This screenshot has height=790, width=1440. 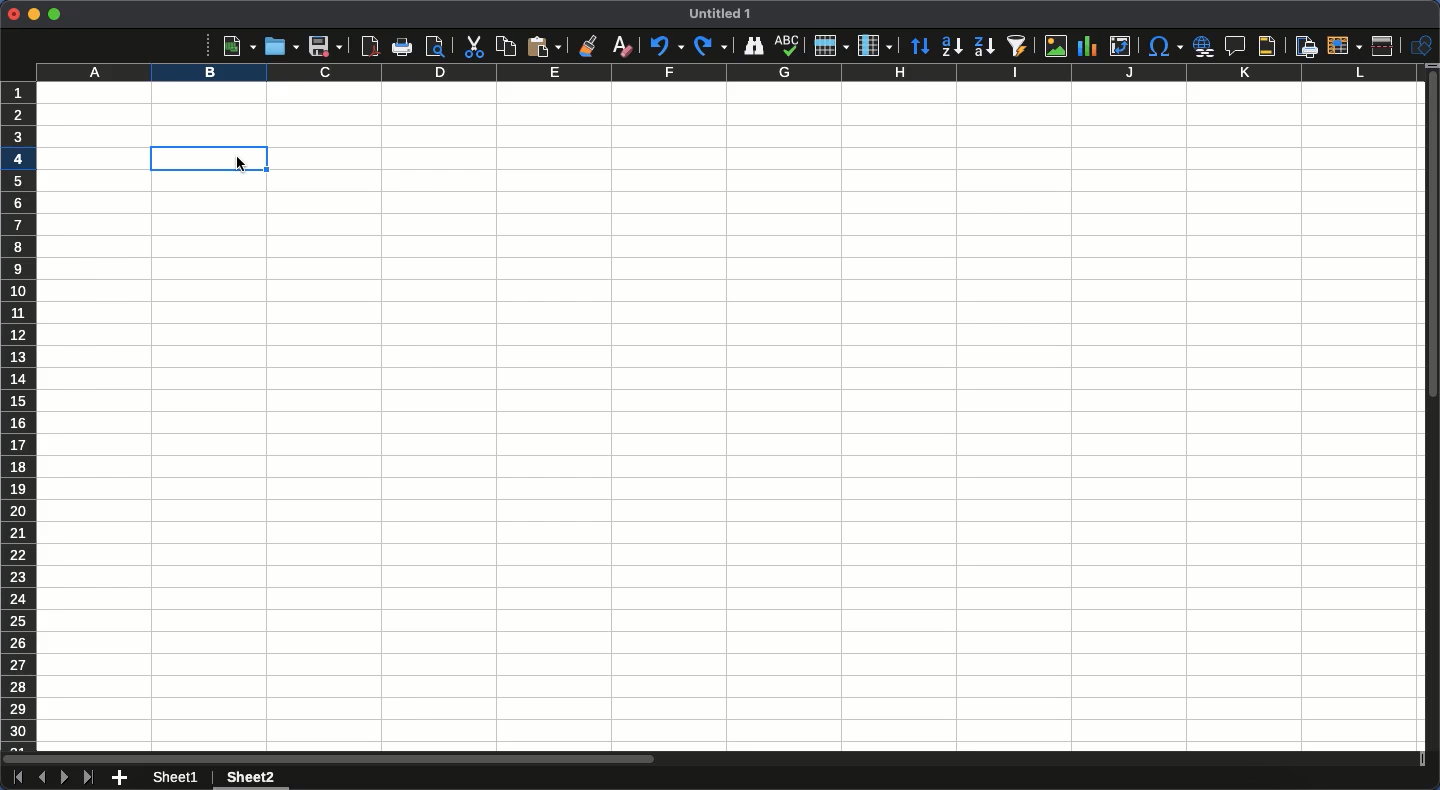 I want to click on Columns, so click(x=724, y=73).